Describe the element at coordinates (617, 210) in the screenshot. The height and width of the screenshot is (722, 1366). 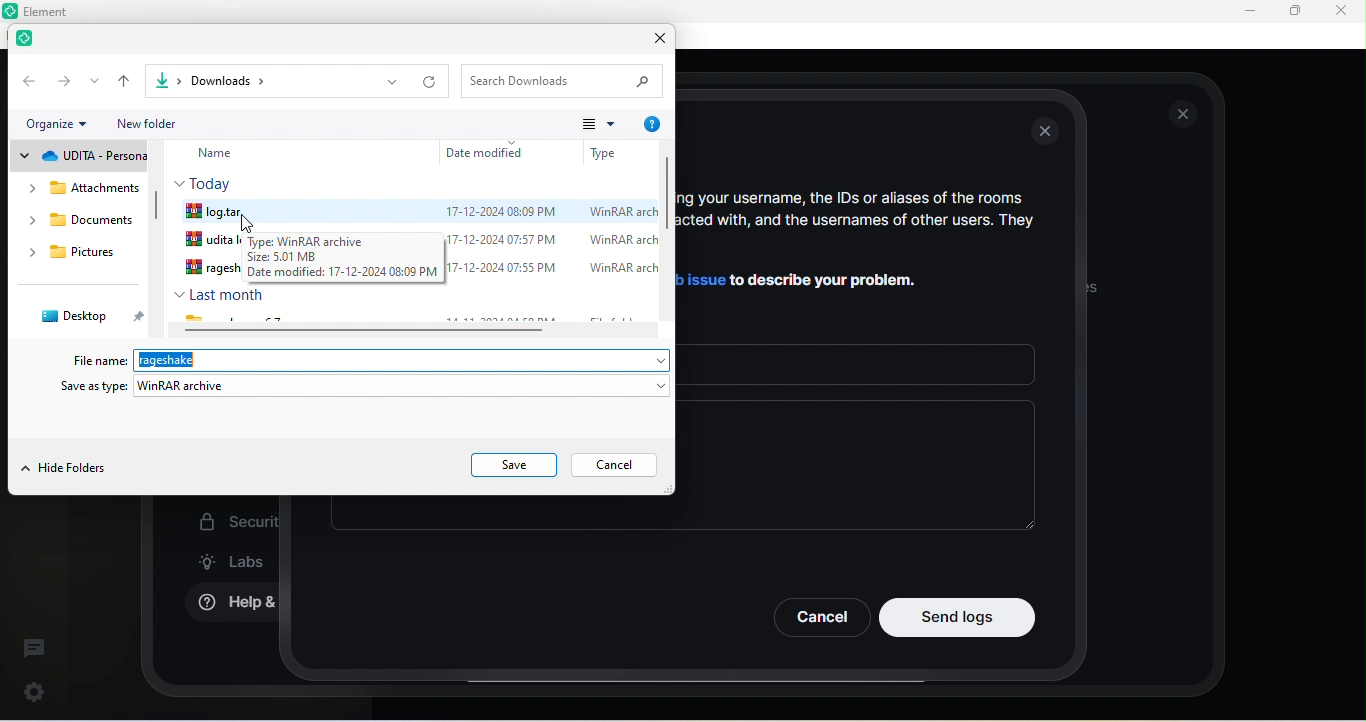
I see `WinRAR arch` at that location.